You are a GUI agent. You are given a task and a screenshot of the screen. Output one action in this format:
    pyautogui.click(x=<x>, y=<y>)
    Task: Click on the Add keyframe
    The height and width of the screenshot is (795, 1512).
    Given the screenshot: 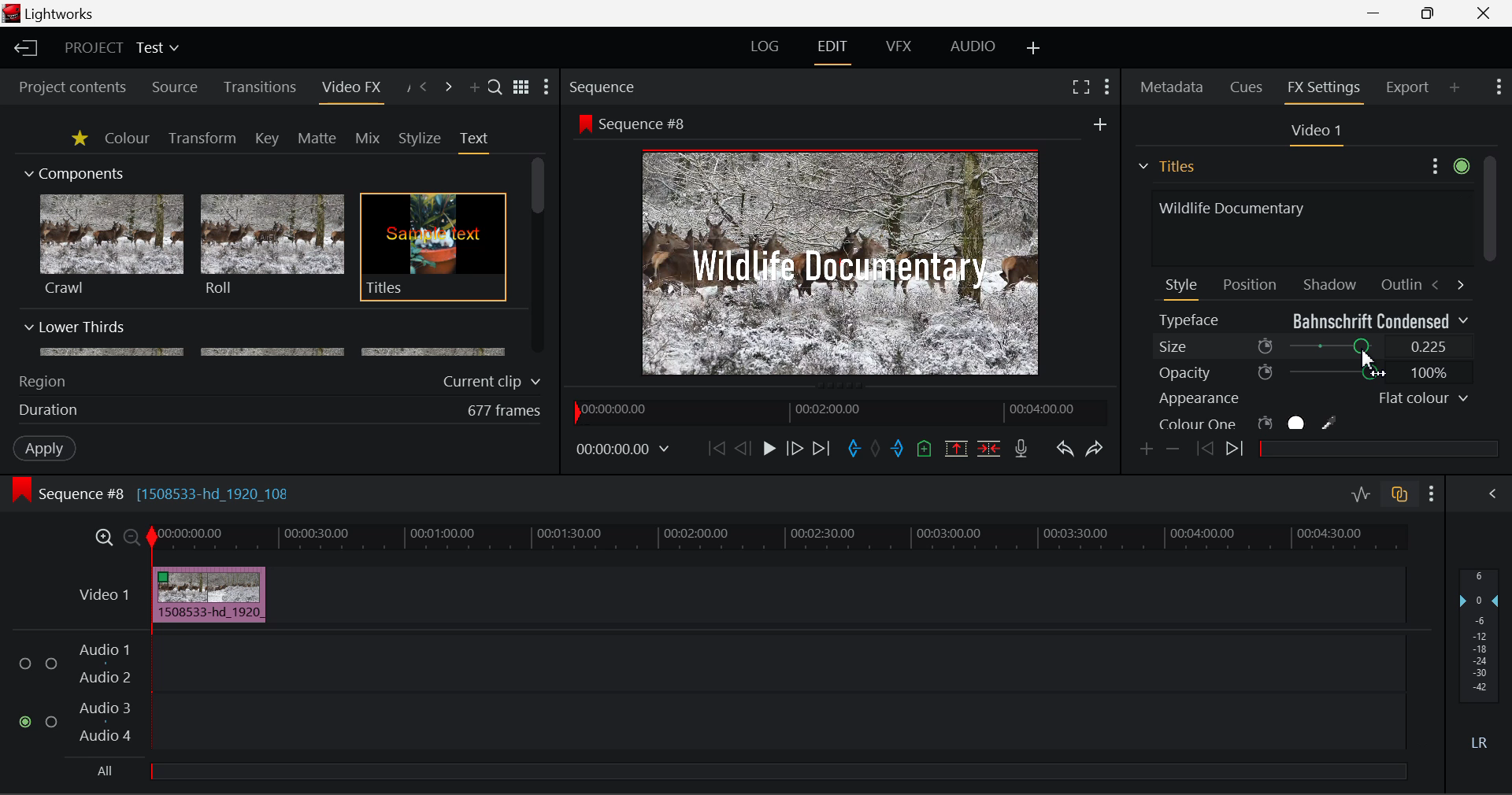 What is the action you would take?
    pyautogui.click(x=1148, y=450)
    